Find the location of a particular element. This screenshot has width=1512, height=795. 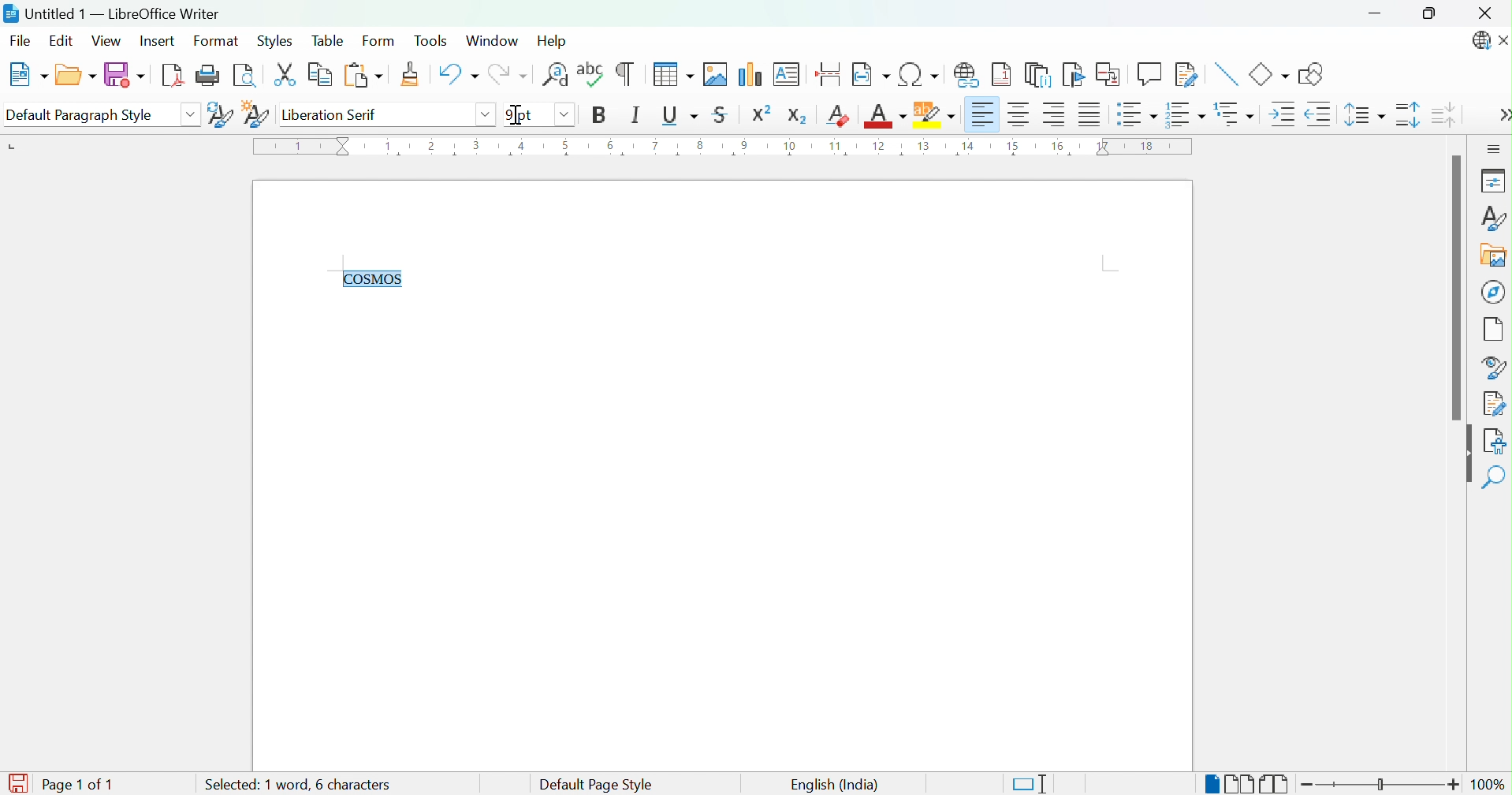

New is located at coordinates (28, 75).